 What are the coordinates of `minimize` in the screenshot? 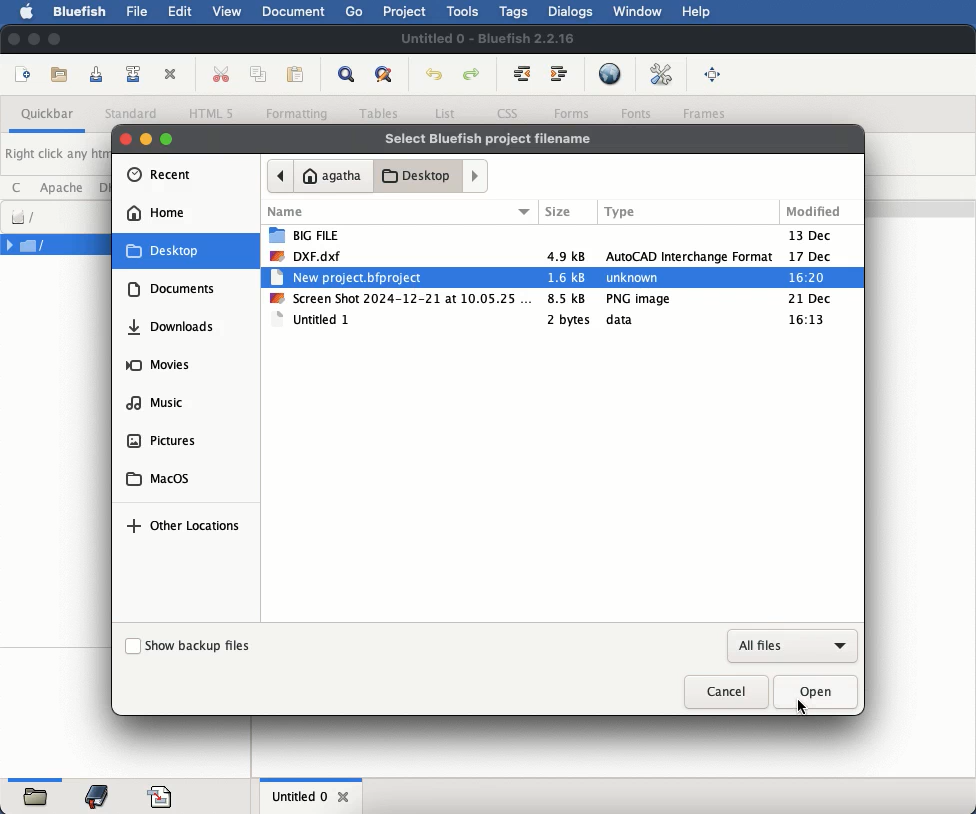 It's located at (35, 39).